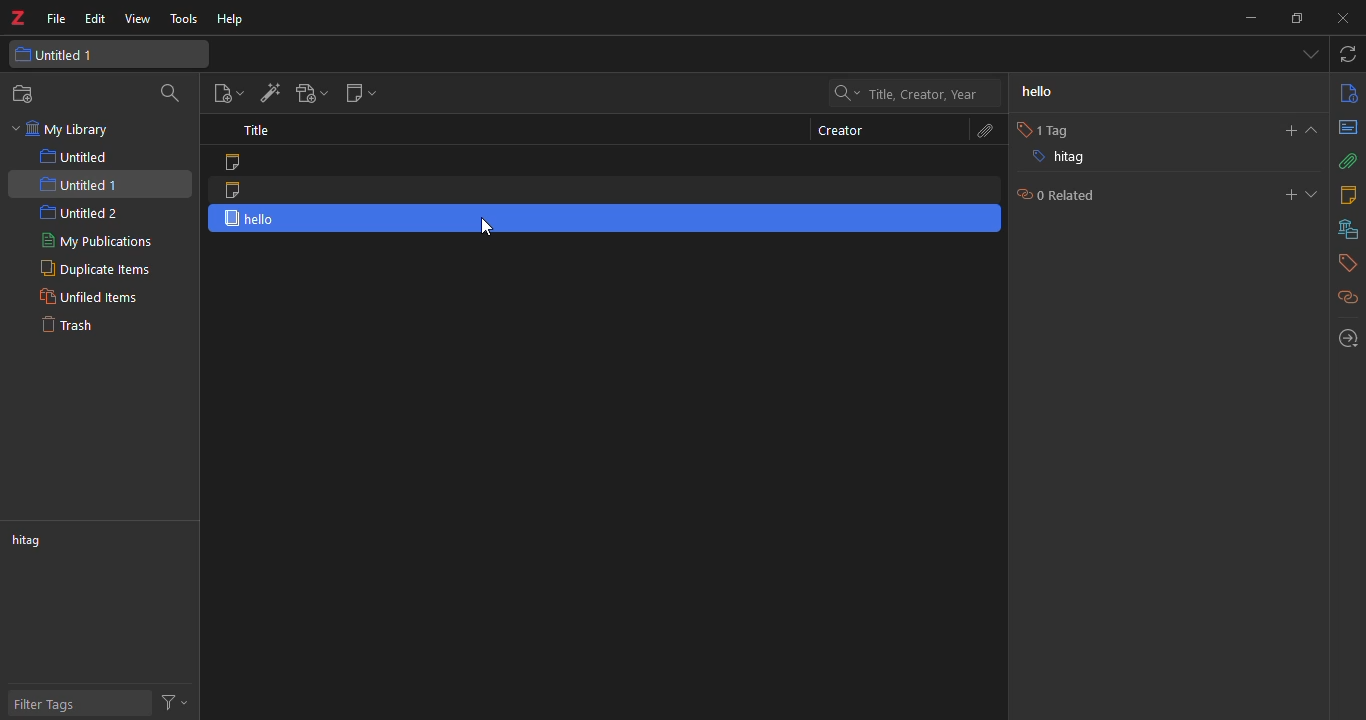  I want to click on untitled 2, so click(80, 212).